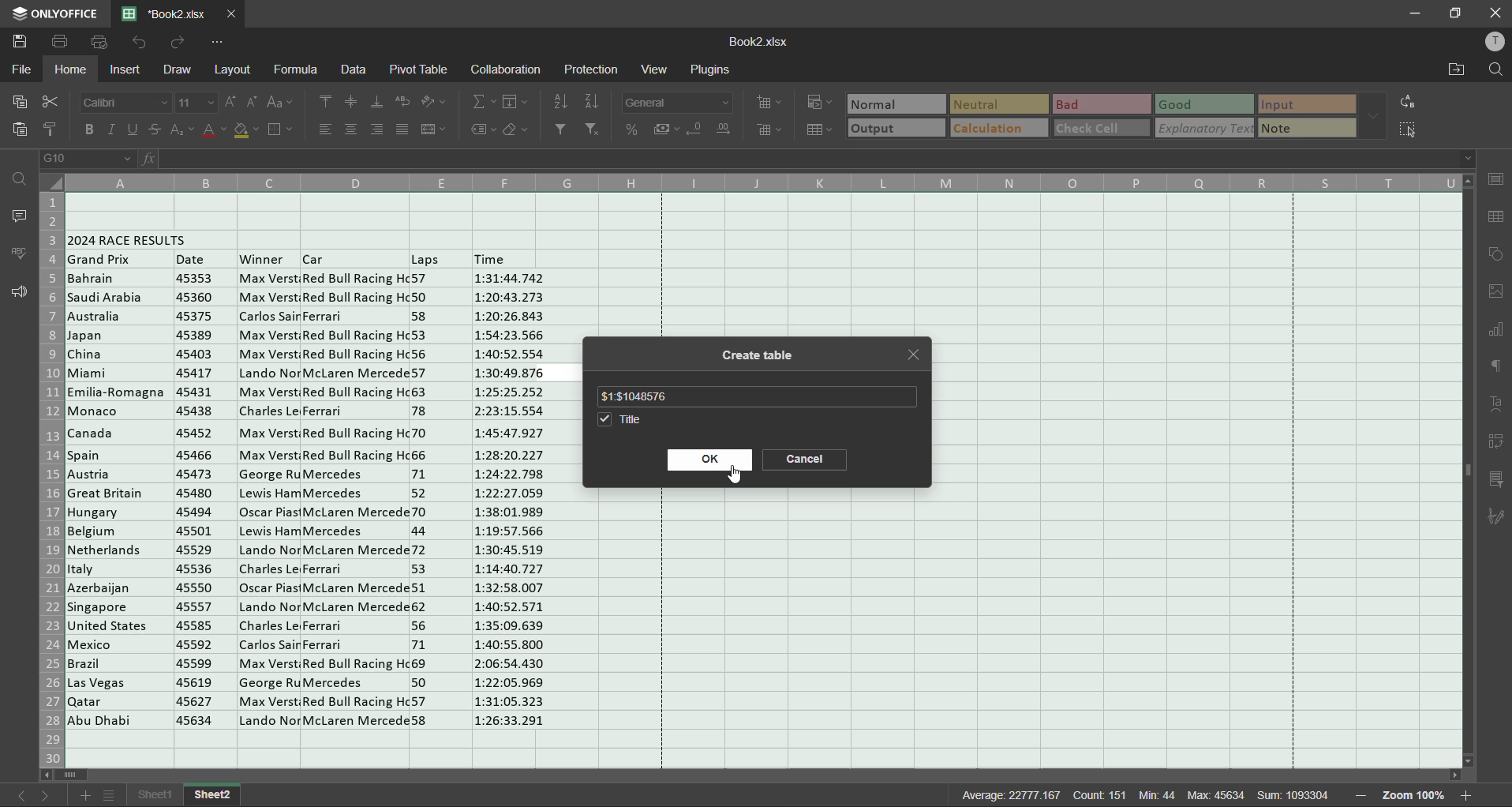  I want to click on align middle, so click(350, 103).